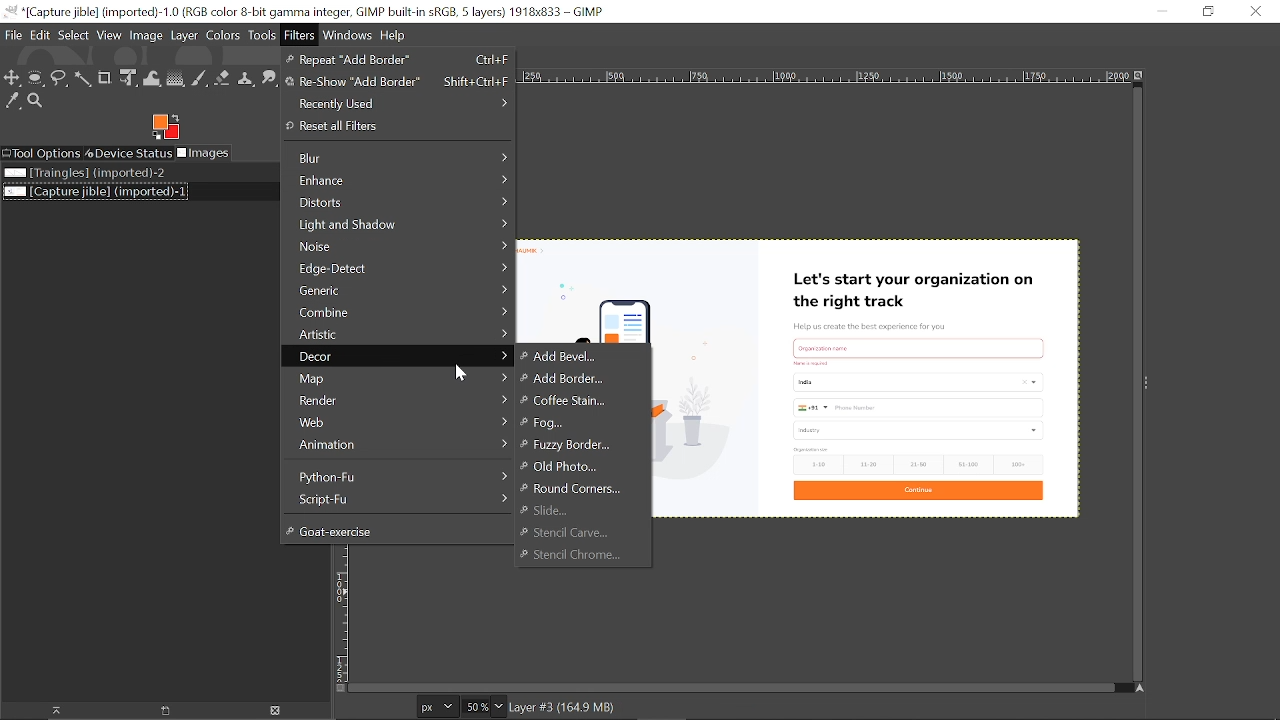 Image resolution: width=1280 pixels, height=720 pixels. What do you see at coordinates (398, 60) in the screenshot?
I see `Repeat "Add Border"` at bounding box center [398, 60].